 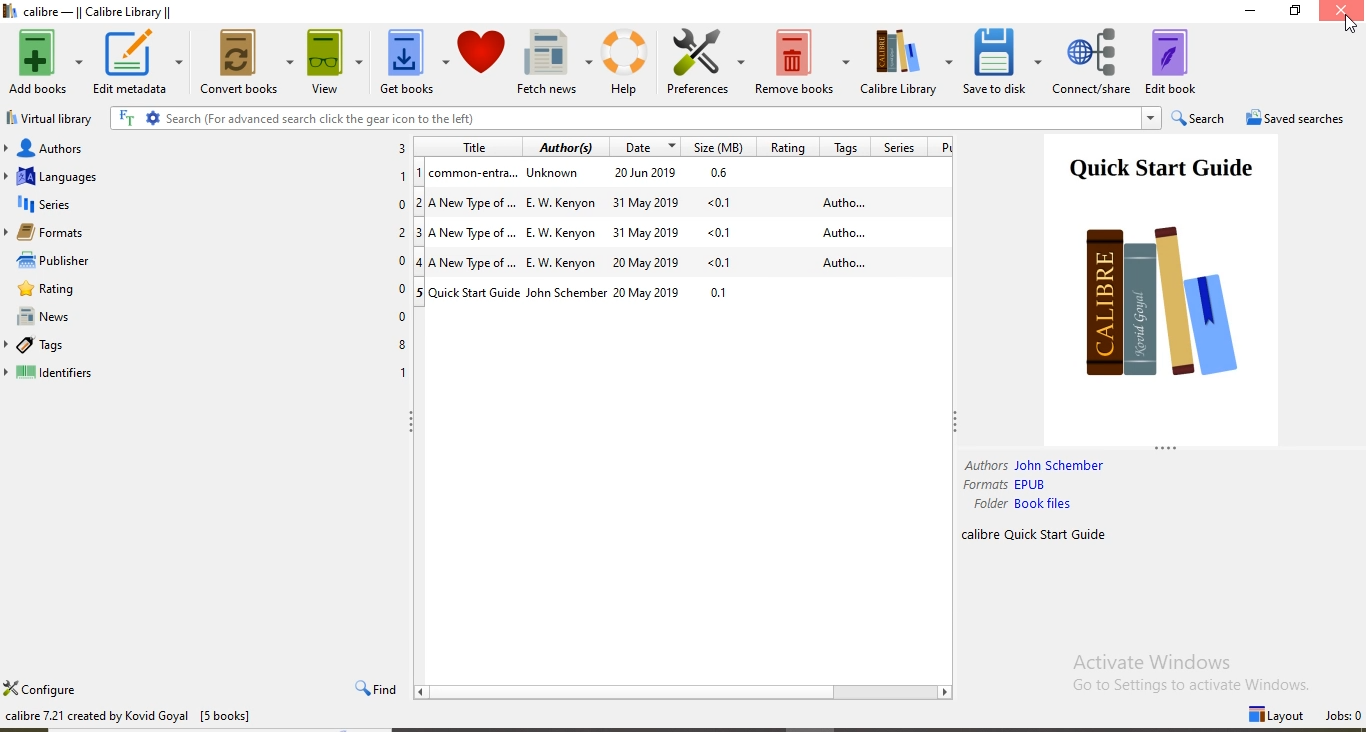 I want to click on search, so click(x=638, y=118).